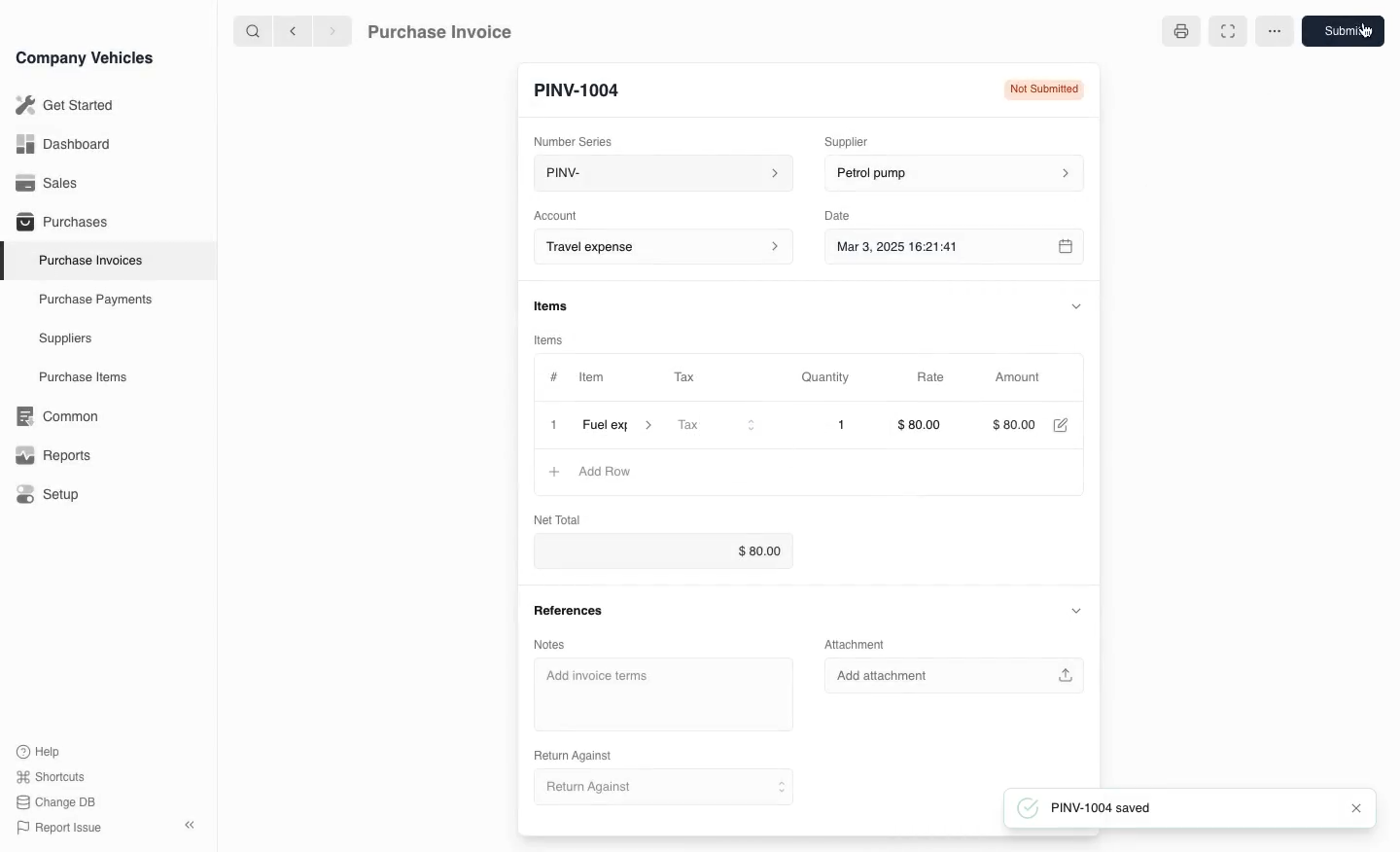  What do you see at coordinates (1346, 32) in the screenshot?
I see `submit` at bounding box center [1346, 32].